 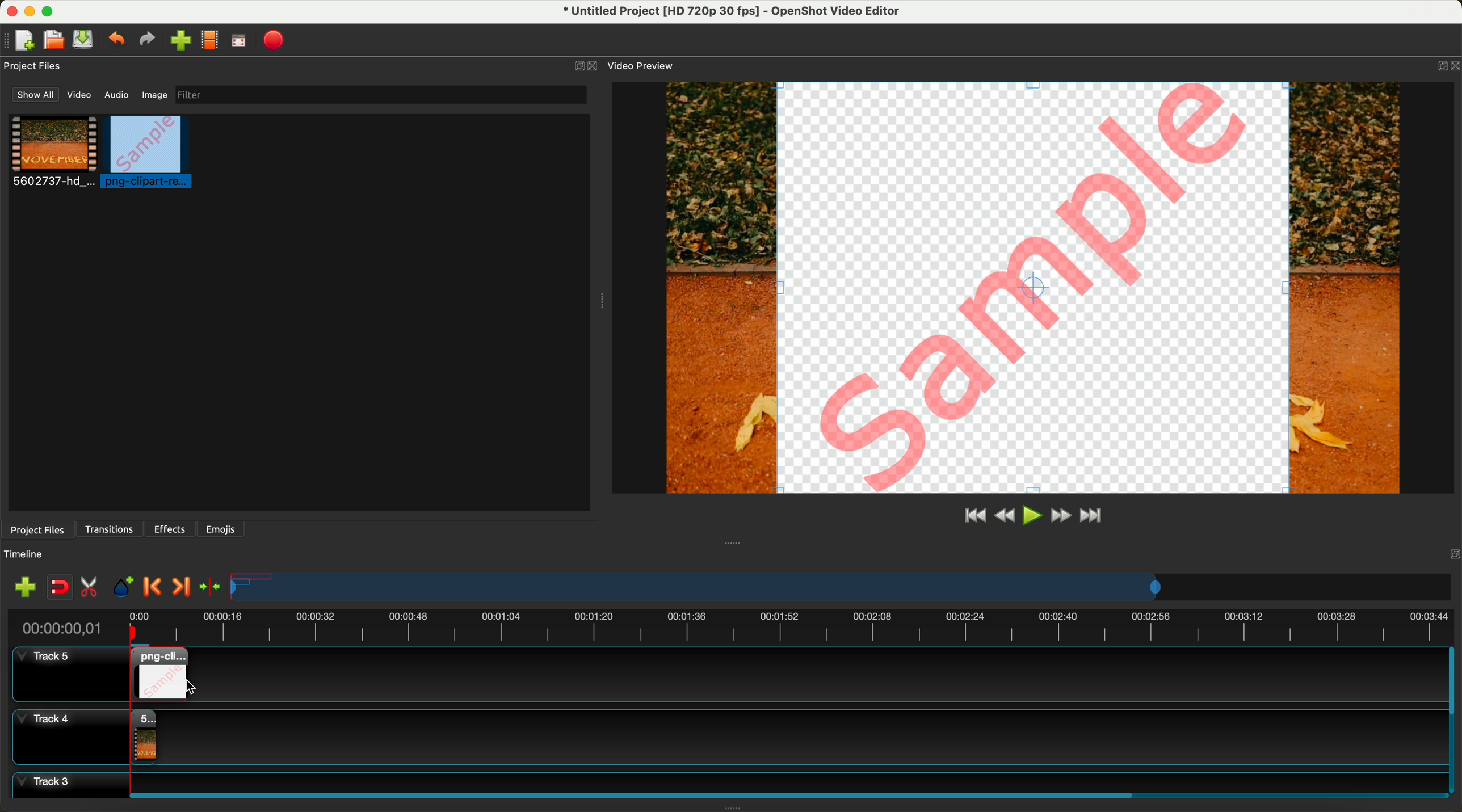 I want to click on emojis, so click(x=221, y=527).